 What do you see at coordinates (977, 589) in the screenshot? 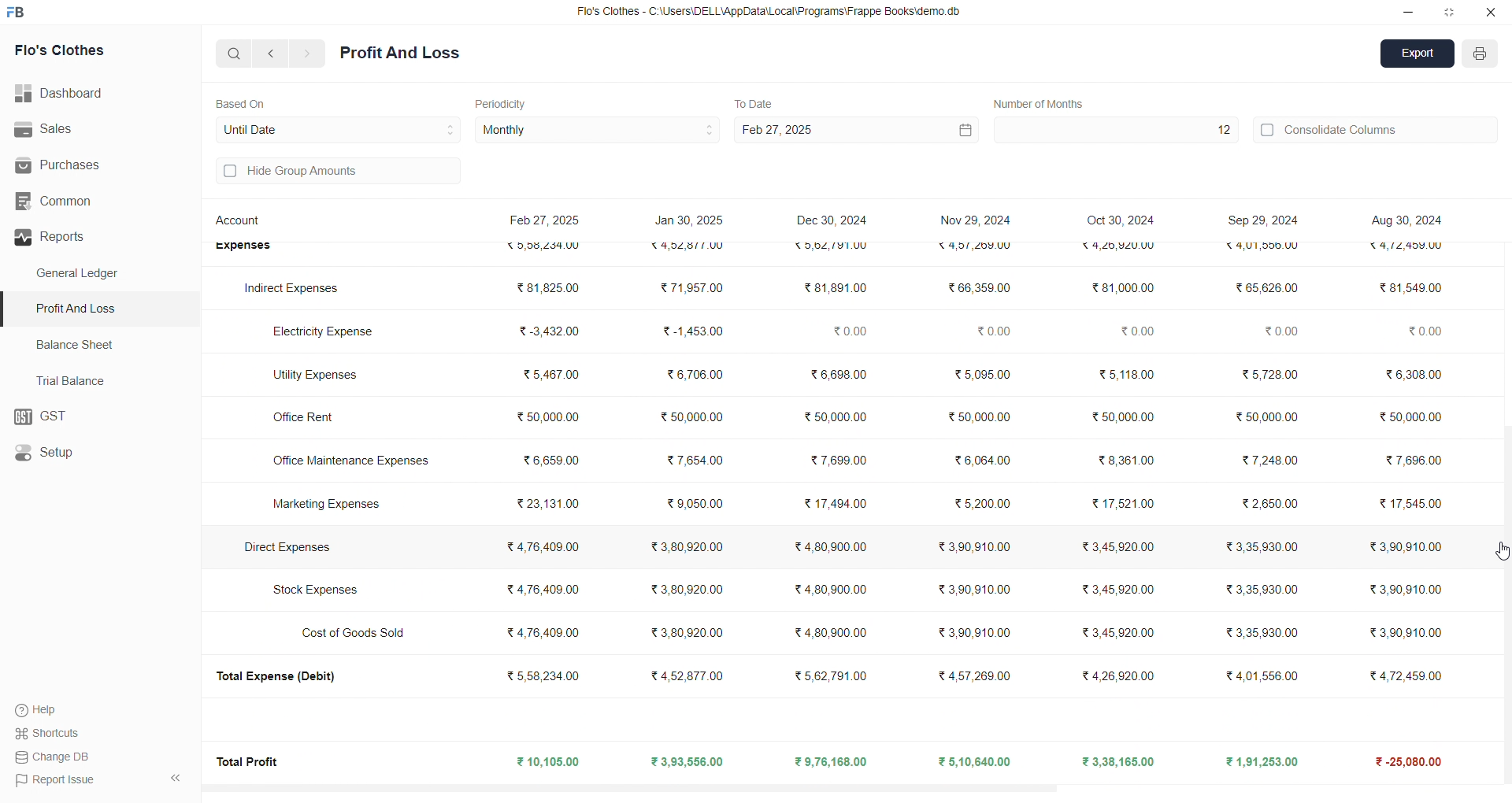
I see `₹3,90,910.00` at bounding box center [977, 589].